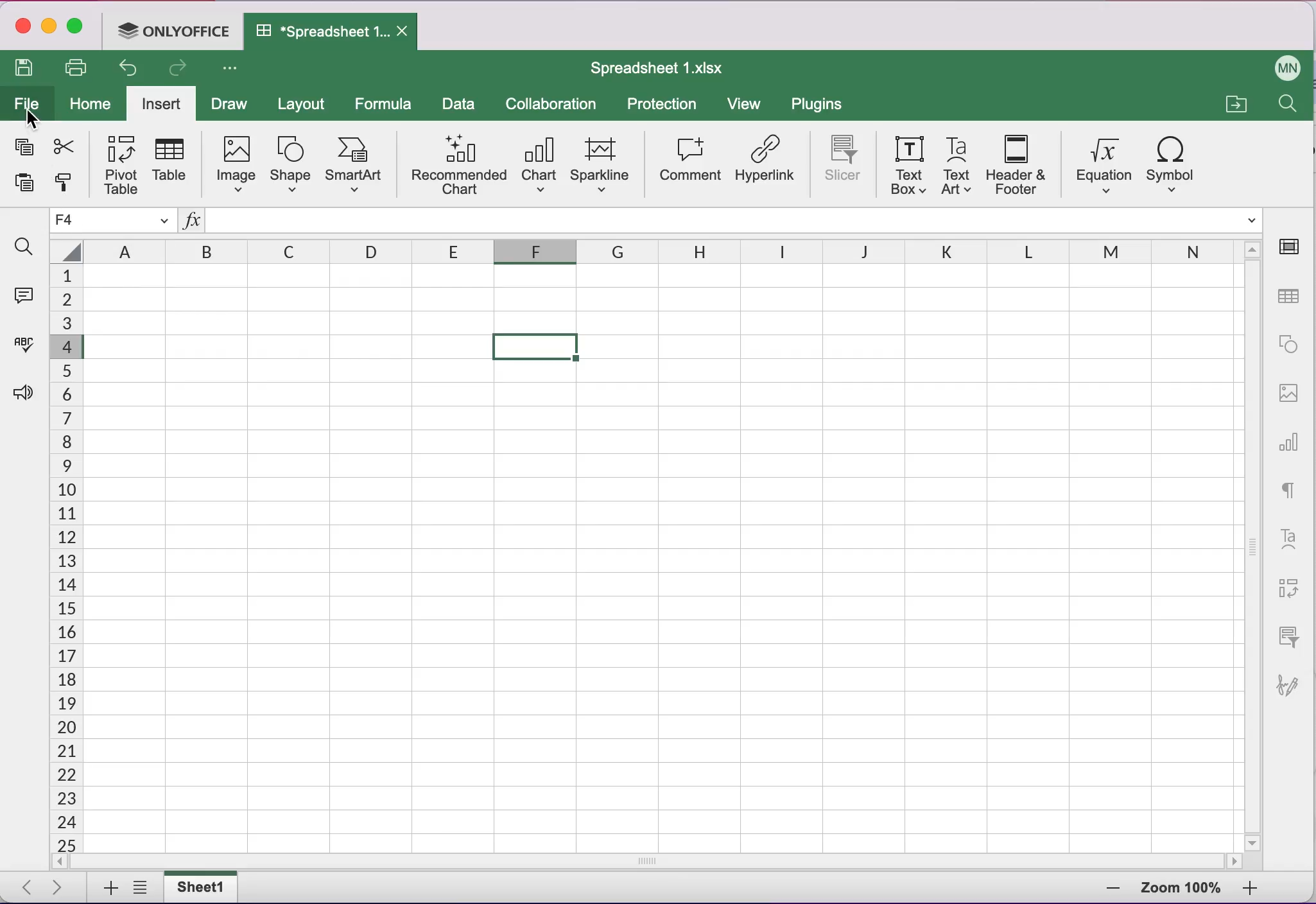  I want to click on vertical slider, so click(1254, 544).